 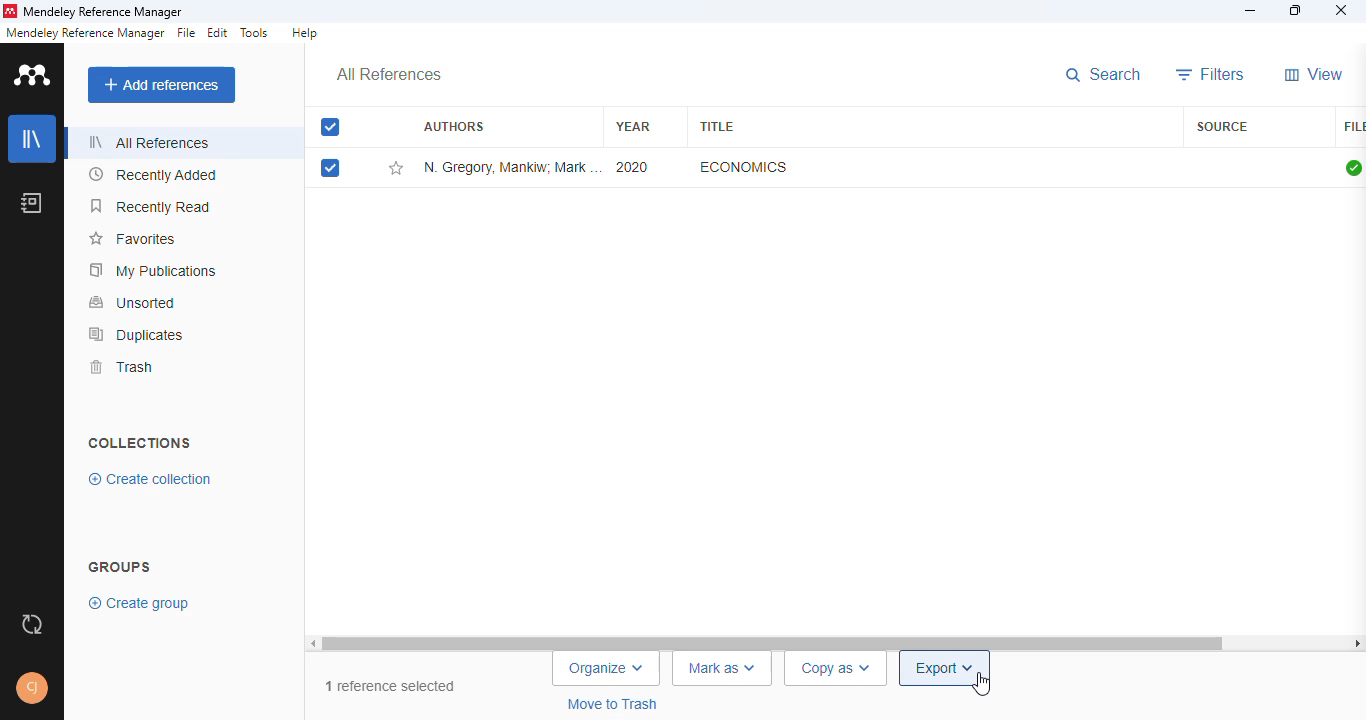 What do you see at coordinates (633, 167) in the screenshot?
I see `2020` at bounding box center [633, 167].